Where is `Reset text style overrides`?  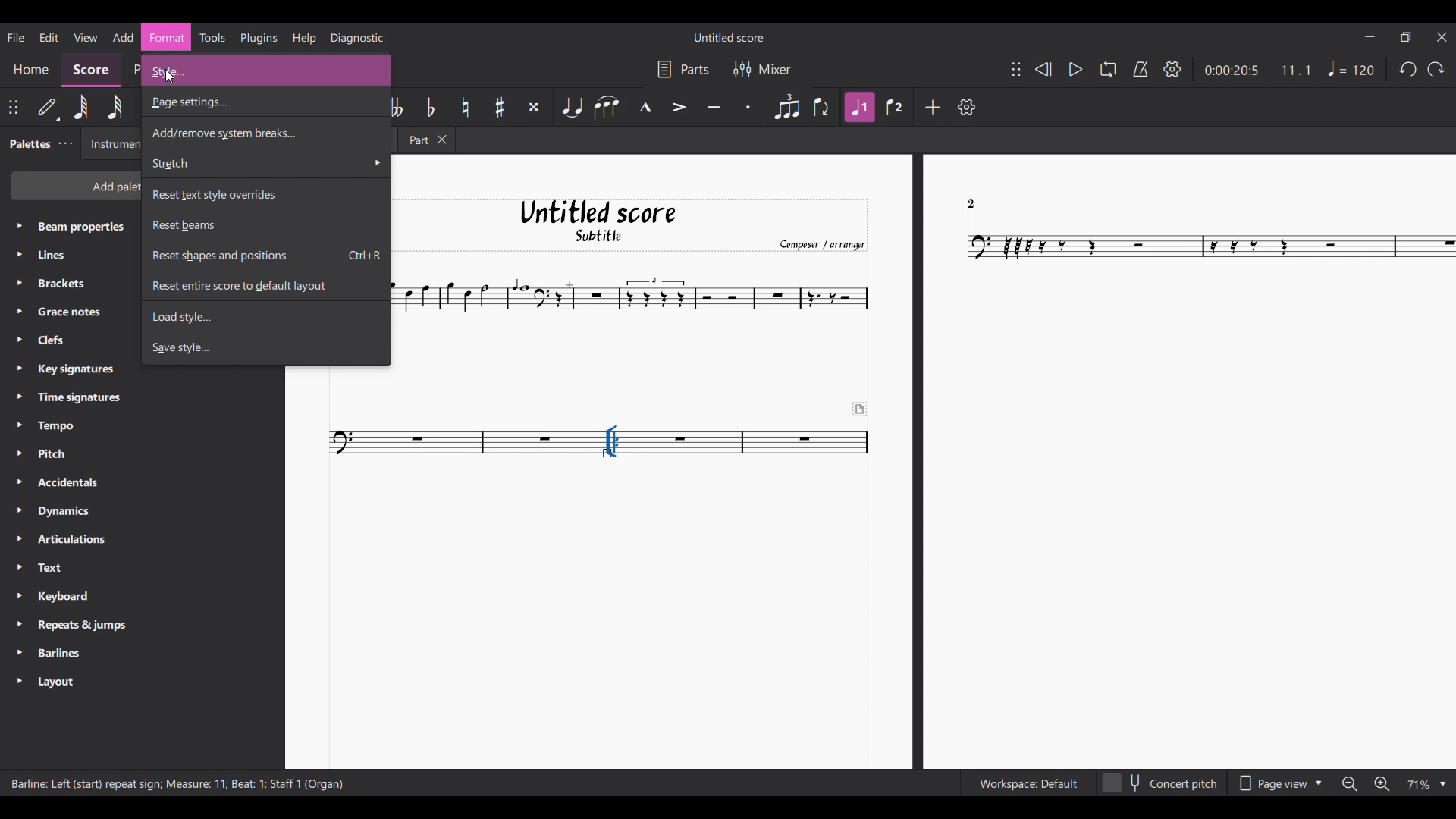
Reset text style overrides is located at coordinates (266, 193).